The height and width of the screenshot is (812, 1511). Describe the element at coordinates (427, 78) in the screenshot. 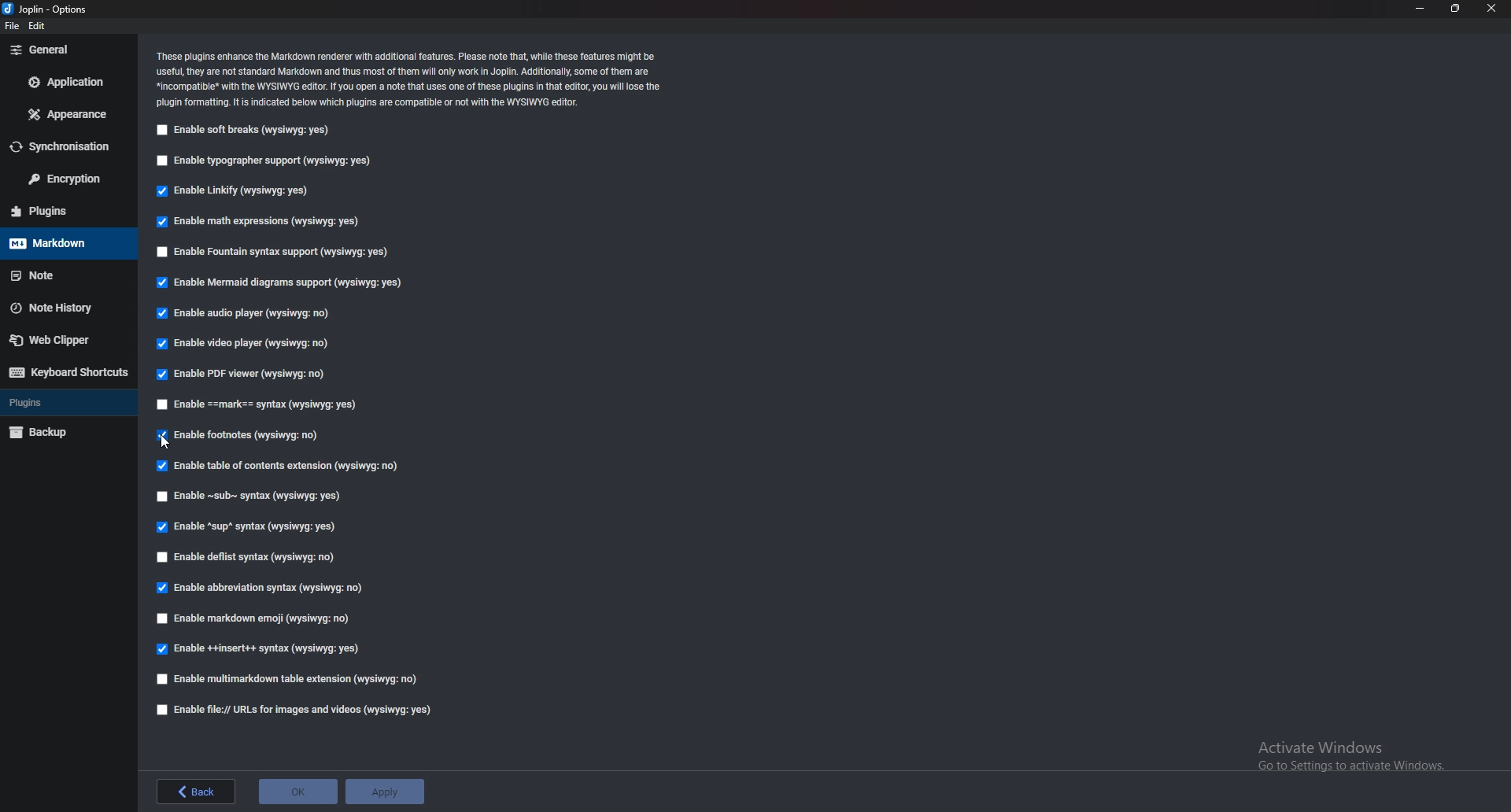

I see `‘These plugins enhance the Markdown renderer with additional features. Please note that, while these features might be
‘useful, they are not standard Markdown and thus most of them wil only work in Joplin. Additionally, some of them are:
*incompatible* with the WYSIWYG editor. If you open a note that uses one of these plugins in that editor, you wil lose the
‘plugin formatting. It is indicated below which plugins are compatible or not with the WYSIWYG editor.` at that location.